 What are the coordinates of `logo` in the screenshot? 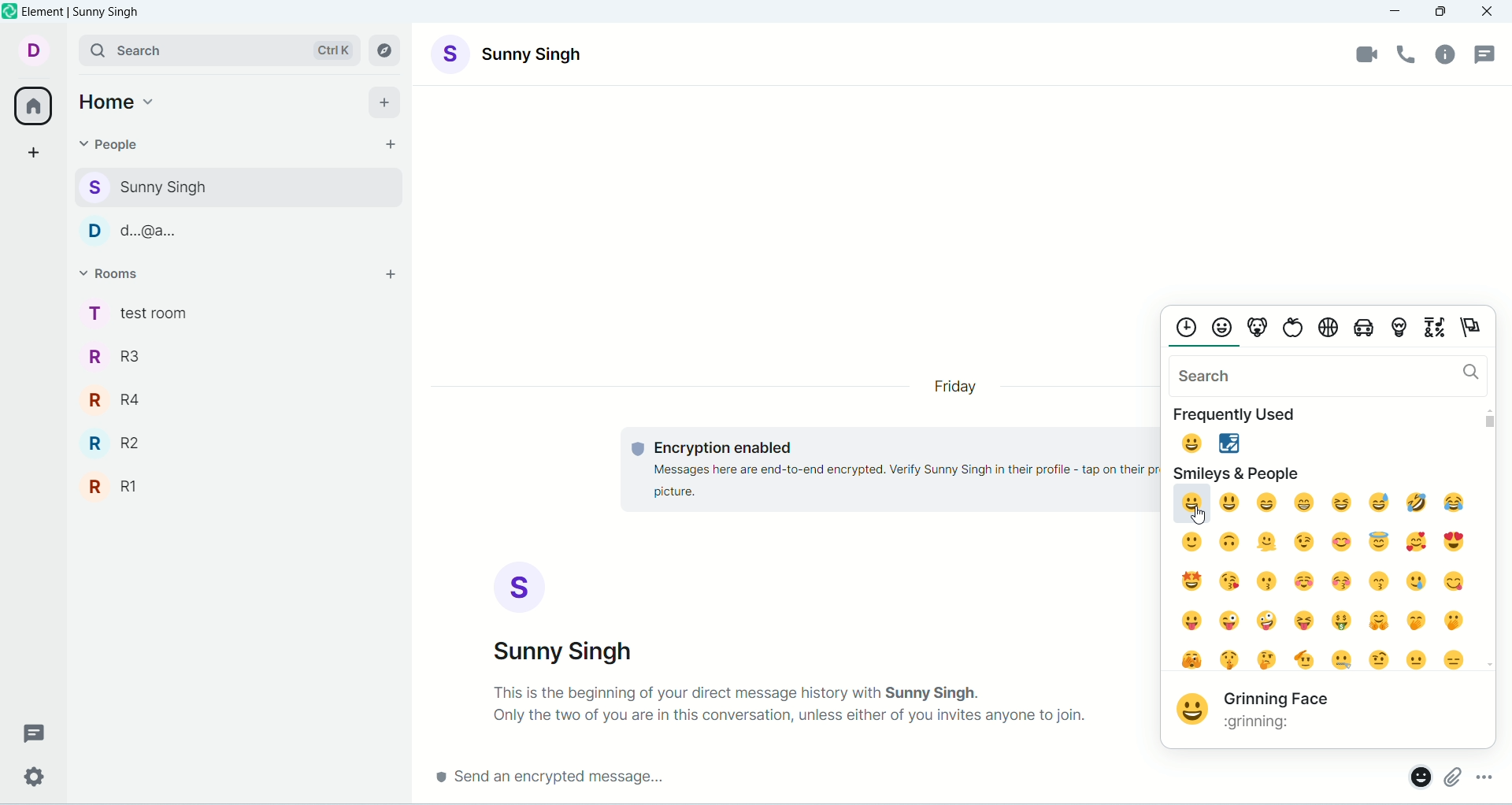 It's located at (10, 10).